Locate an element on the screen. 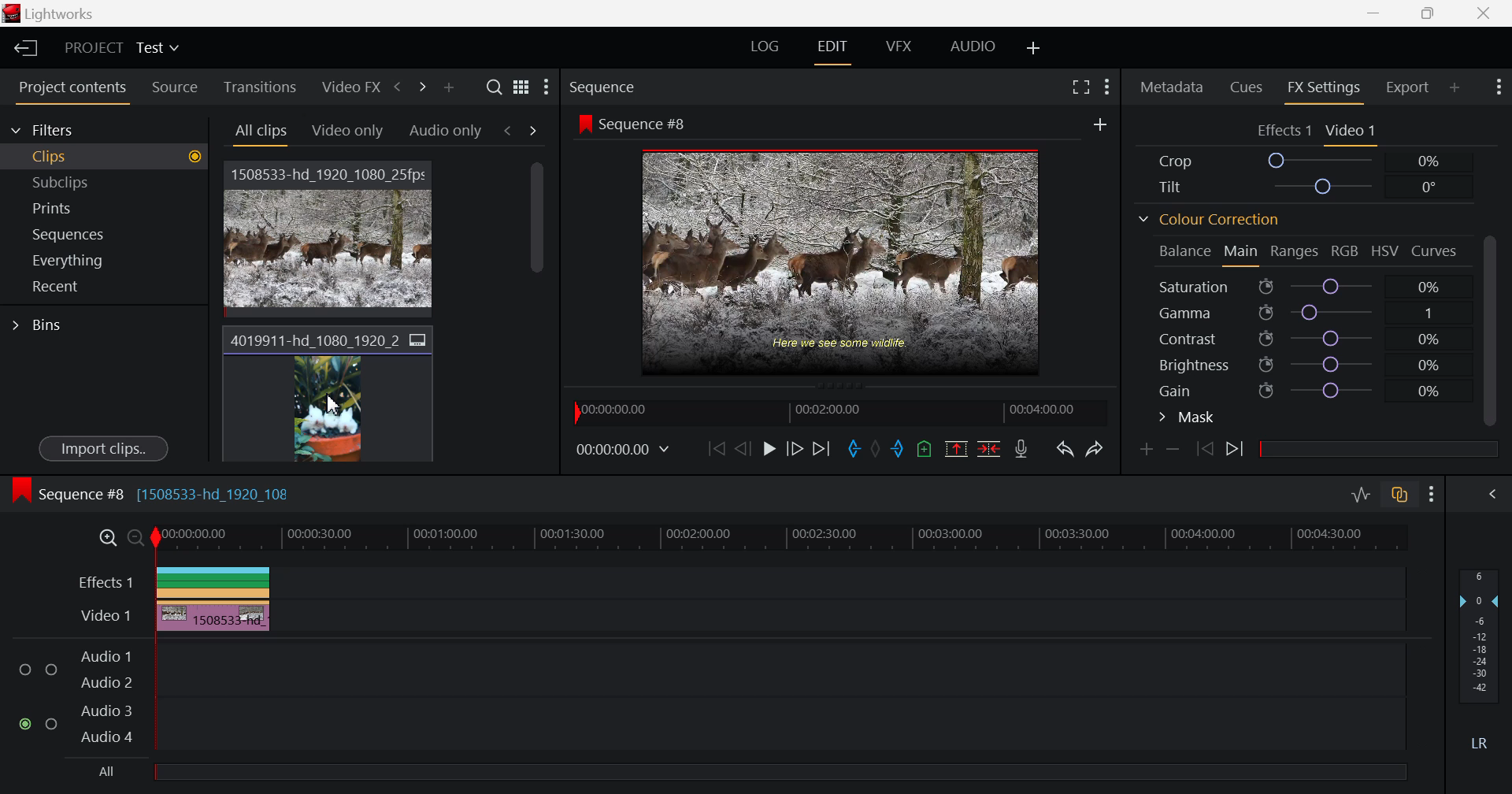 The height and width of the screenshot is (794, 1512). Restore Down is located at coordinates (1378, 13).